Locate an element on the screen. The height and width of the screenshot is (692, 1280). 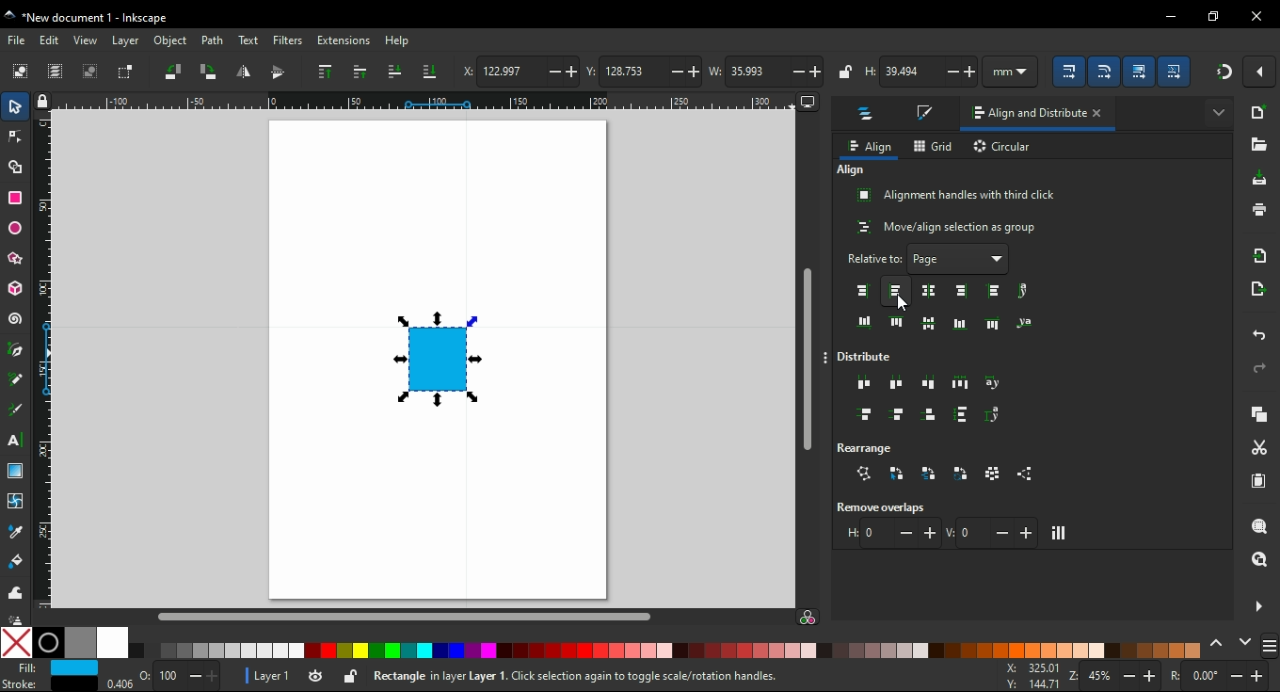
align and distribute is located at coordinates (1019, 115).